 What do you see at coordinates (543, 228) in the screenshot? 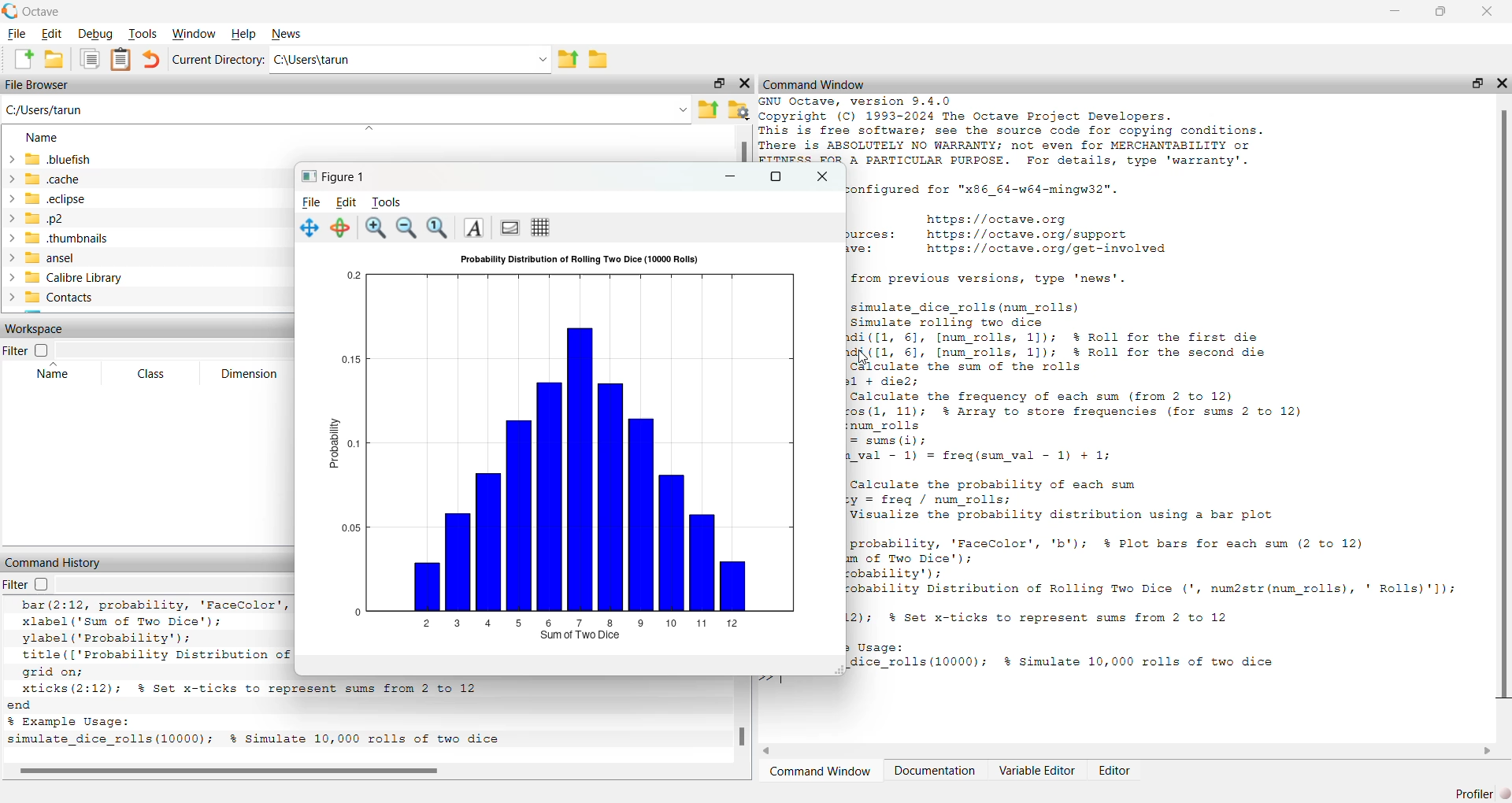
I see `grid` at bounding box center [543, 228].